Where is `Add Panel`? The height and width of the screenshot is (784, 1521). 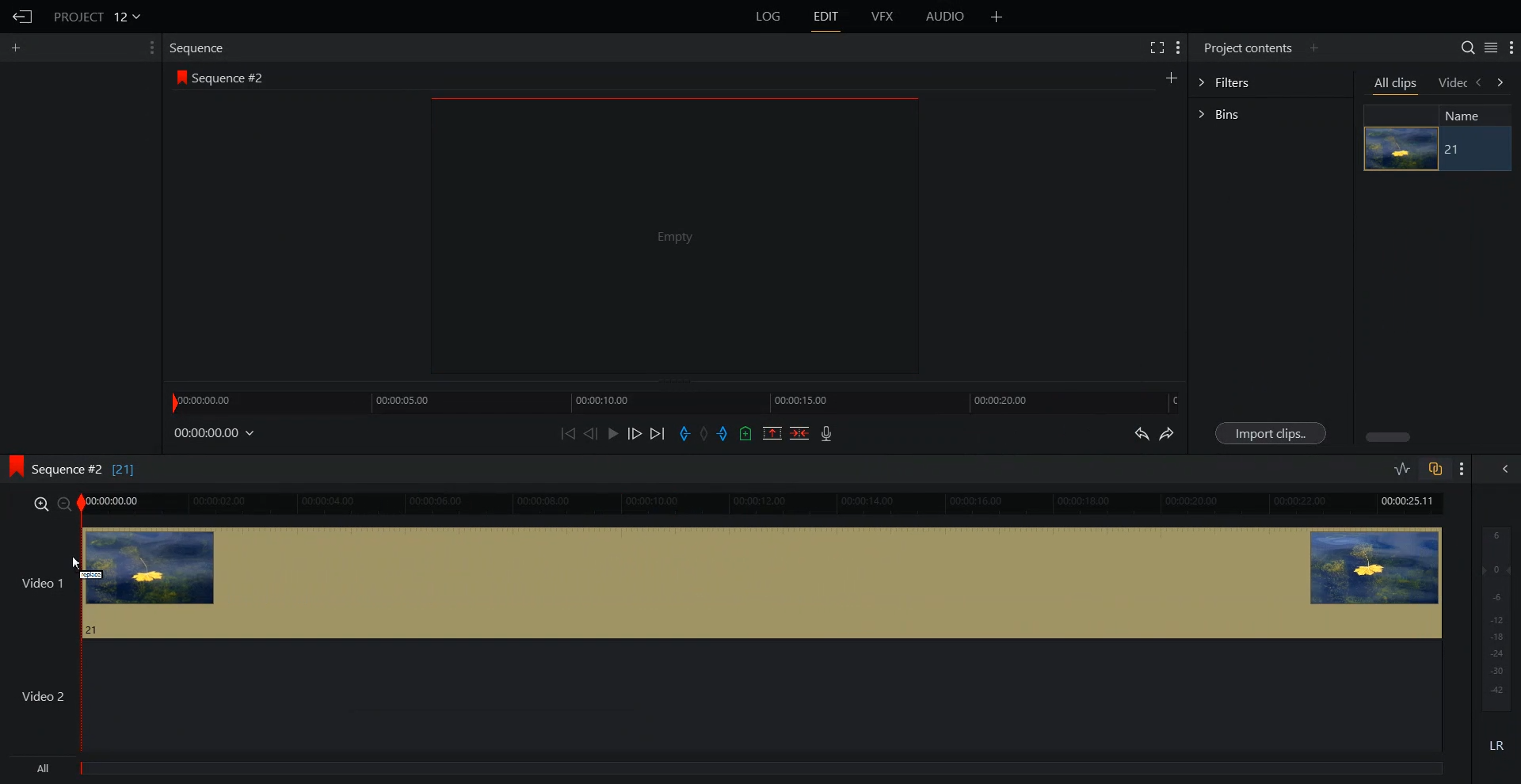 Add Panel is located at coordinates (16, 48).